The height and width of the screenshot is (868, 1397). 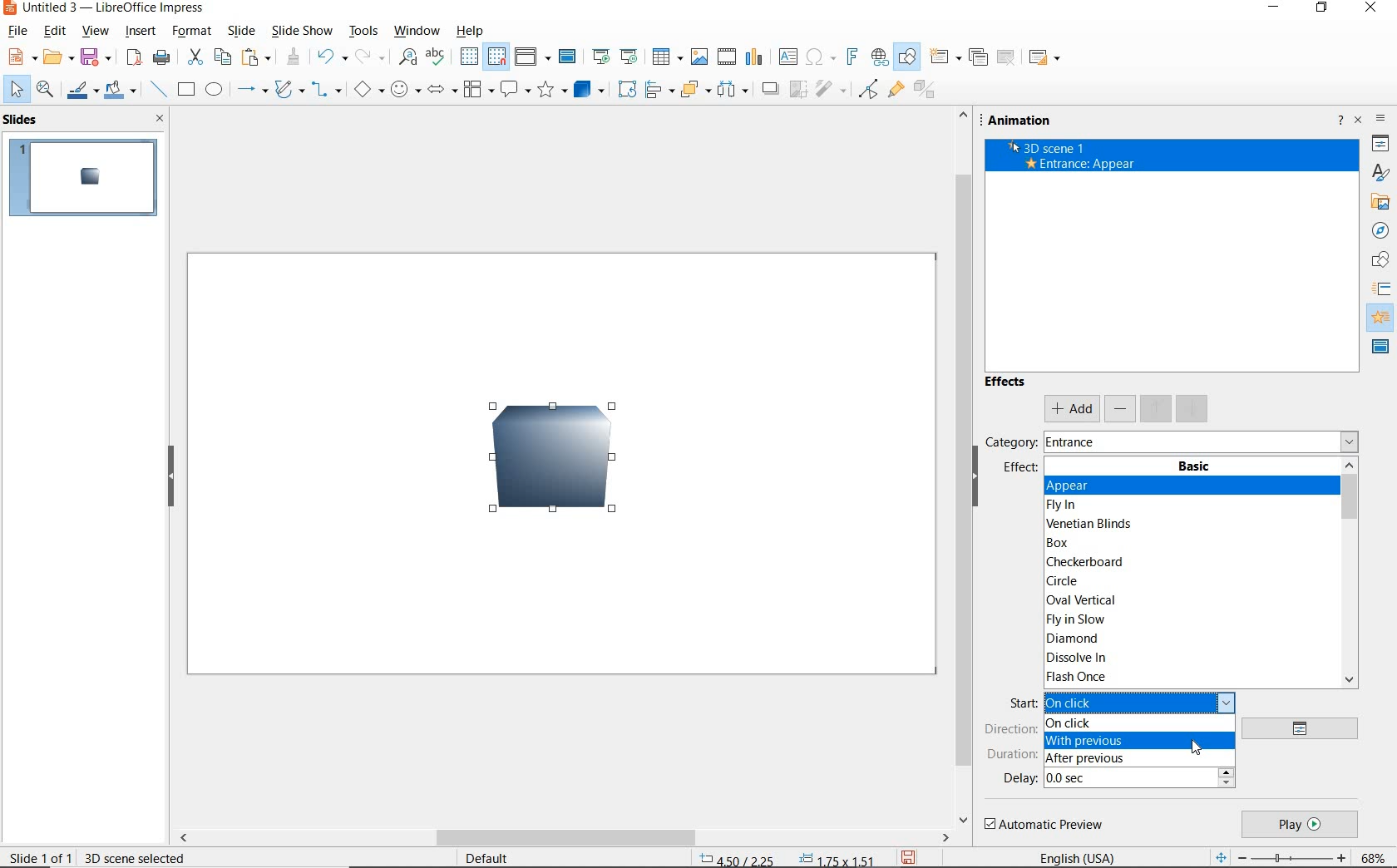 What do you see at coordinates (14, 89) in the screenshot?
I see `select` at bounding box center [14, 89].